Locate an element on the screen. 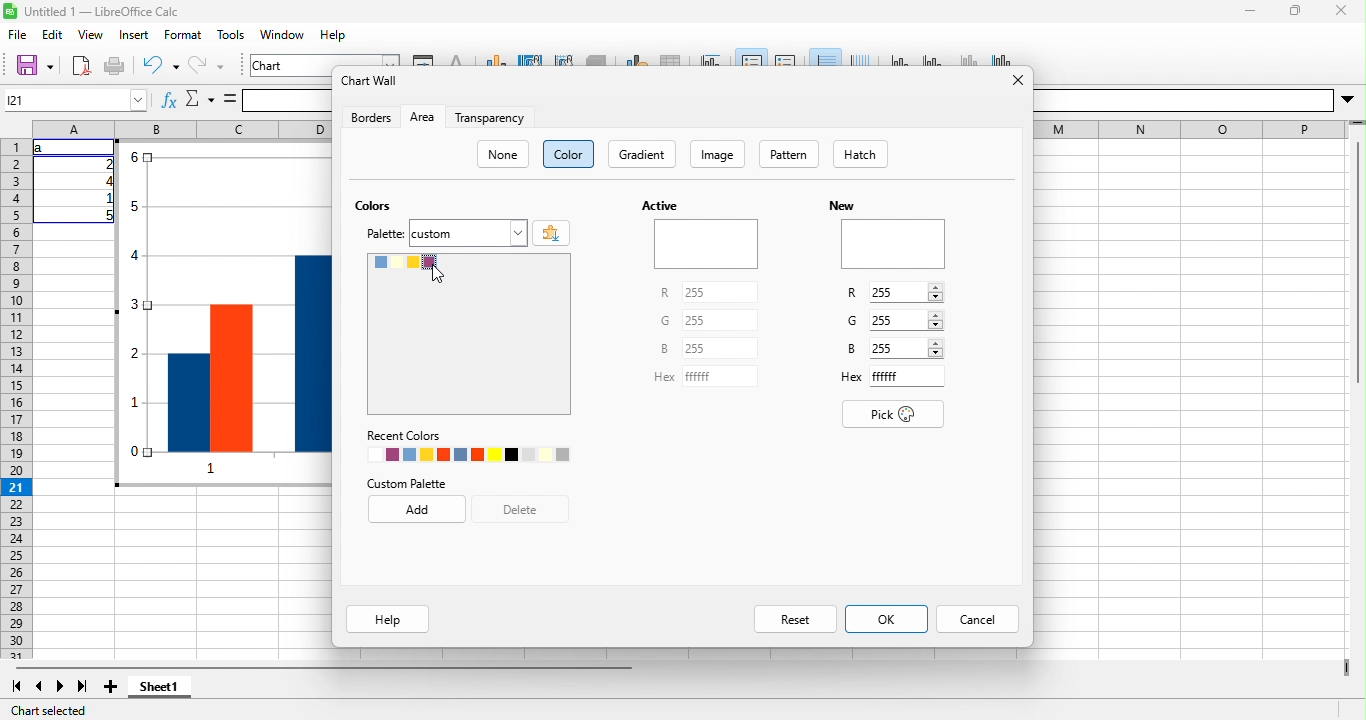 This screenshot has height=720, width=1366. ok is located at coordinates (887, 619).